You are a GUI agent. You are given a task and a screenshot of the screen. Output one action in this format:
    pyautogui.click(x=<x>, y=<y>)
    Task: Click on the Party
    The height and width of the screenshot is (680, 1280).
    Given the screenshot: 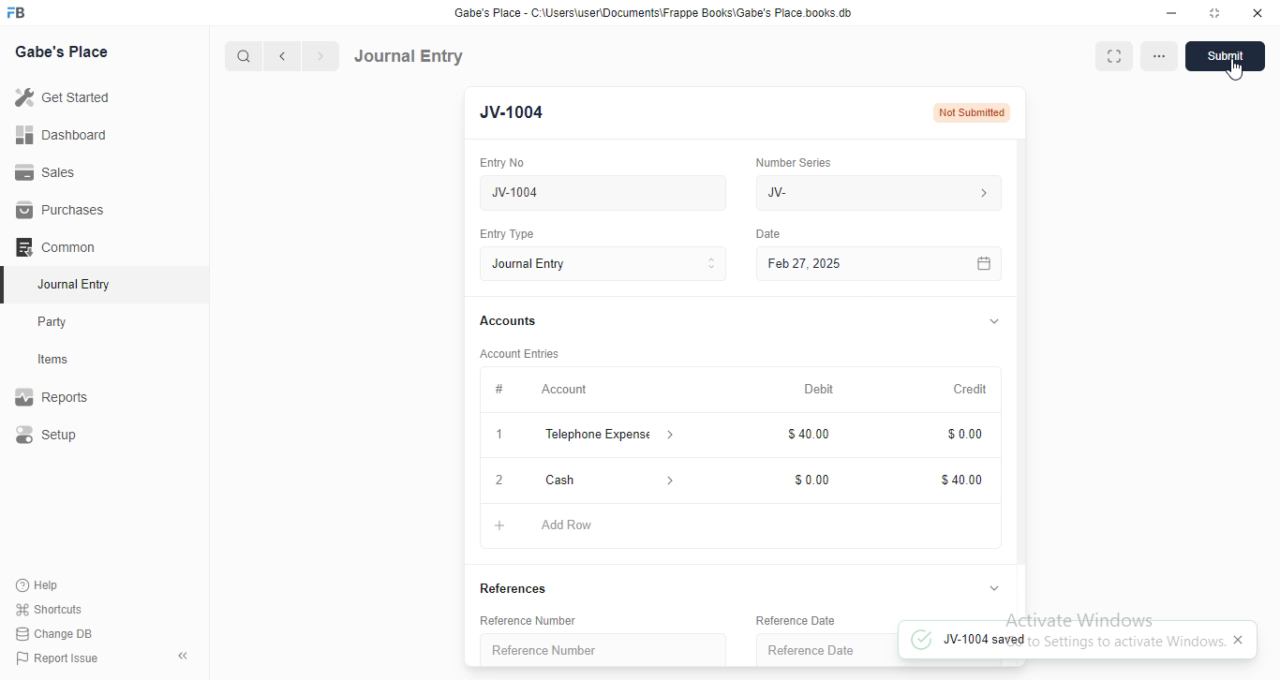 What is the action you would take?
    pyautogui.click(x=54, y=322)
    